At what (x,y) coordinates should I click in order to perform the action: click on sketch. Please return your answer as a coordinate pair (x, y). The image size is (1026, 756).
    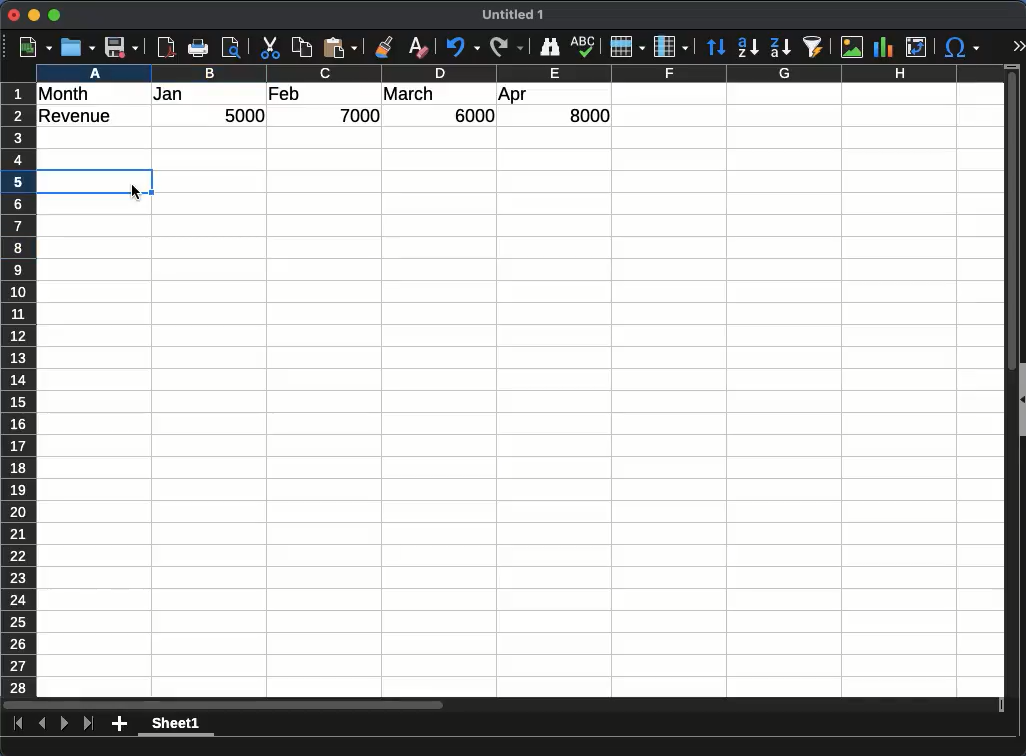
    Looking at the image, I should click on (583, 47).